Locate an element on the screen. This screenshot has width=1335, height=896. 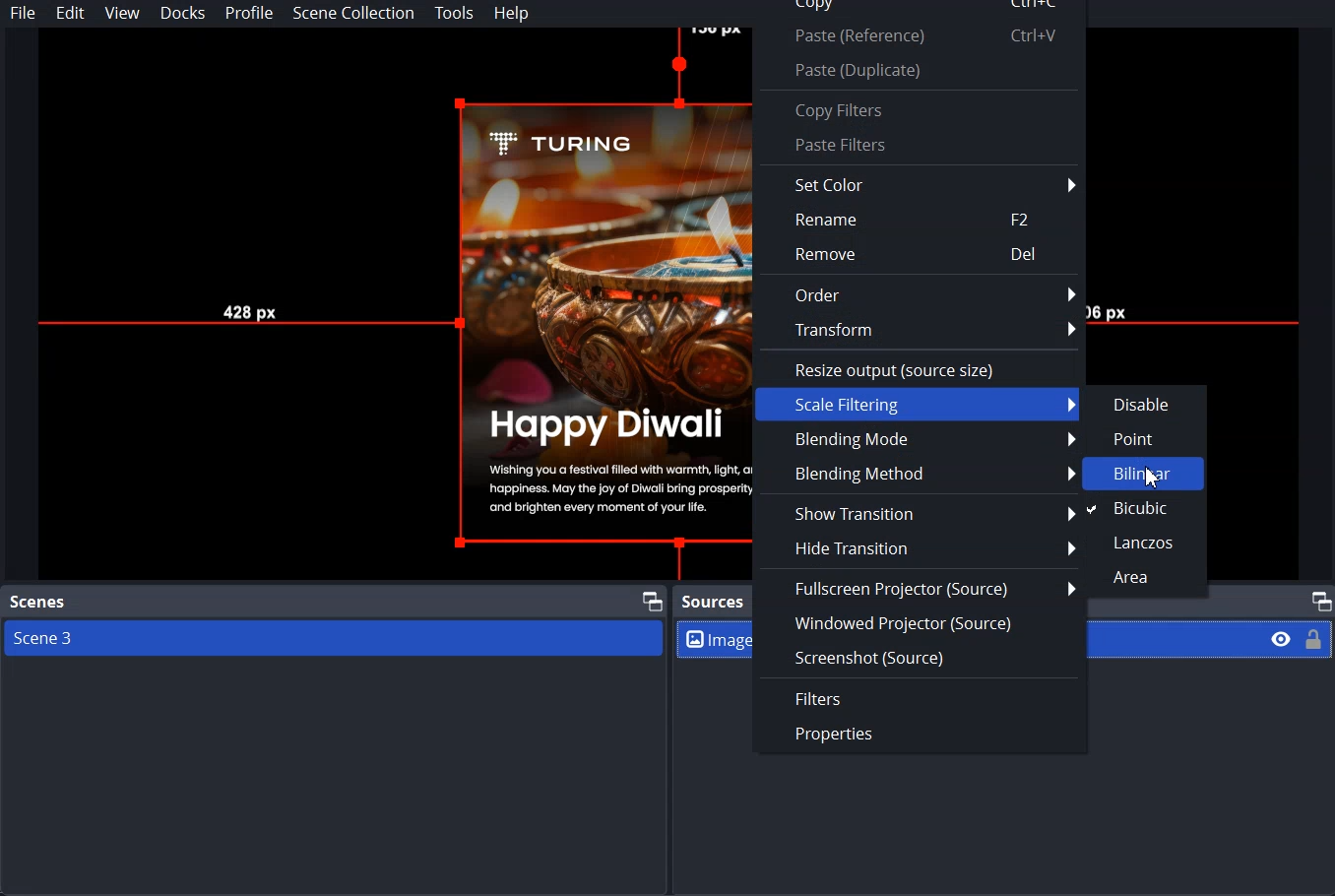
Tools is located at coordinates (454, 14).